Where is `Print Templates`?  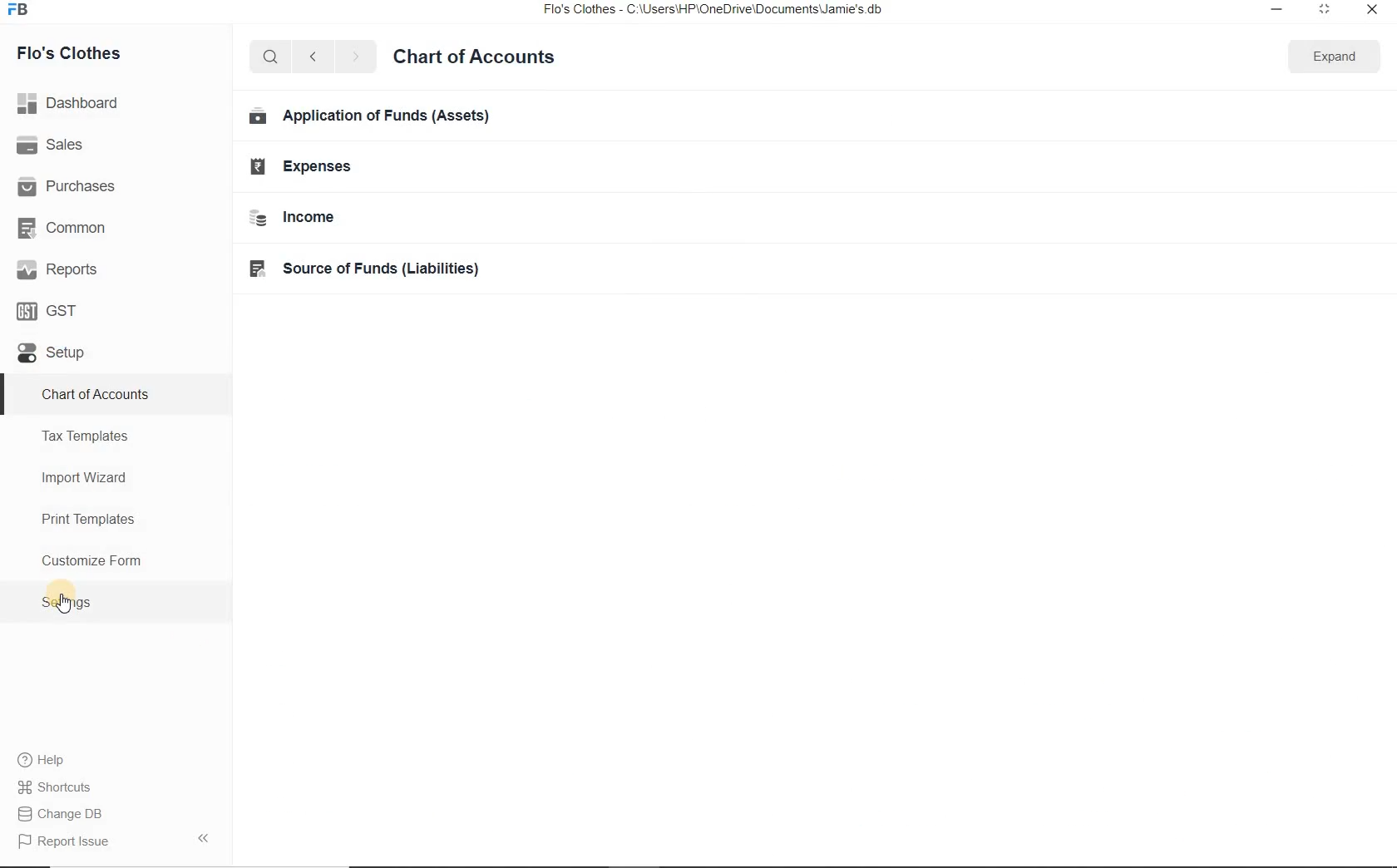 Print Templates is located at coordinates (86, 518).